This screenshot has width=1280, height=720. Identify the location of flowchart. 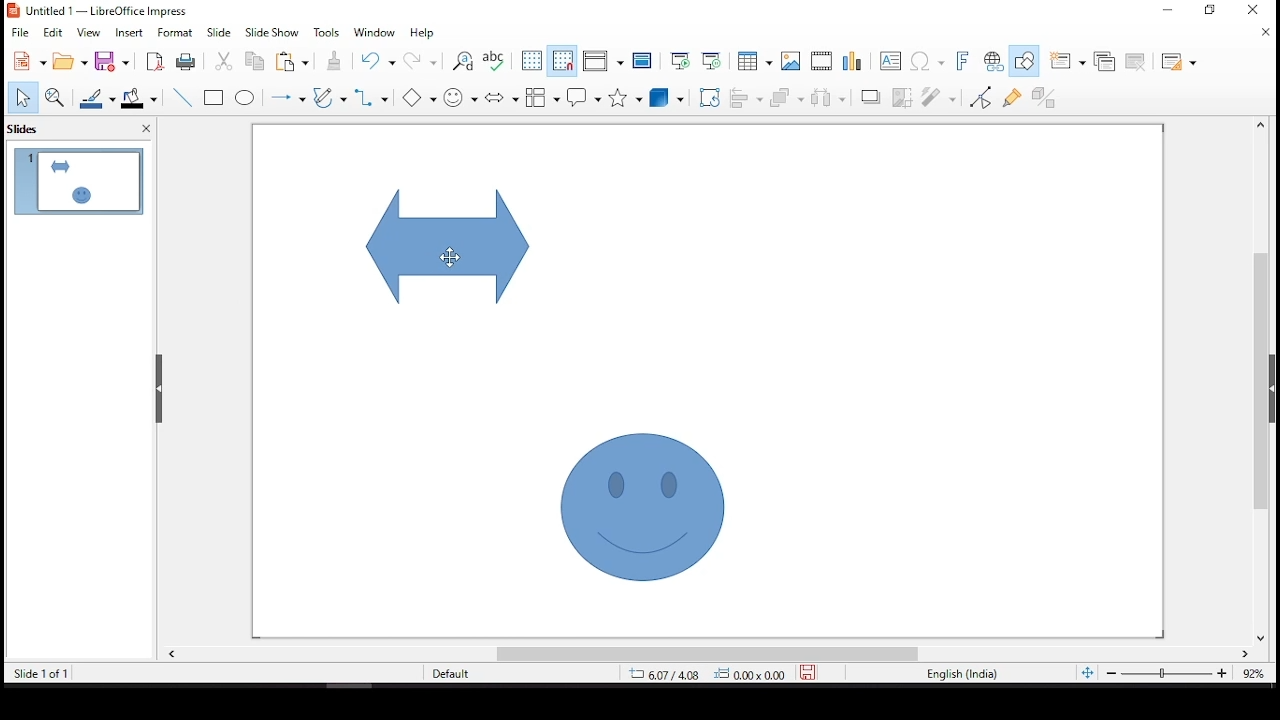
(541, 94).